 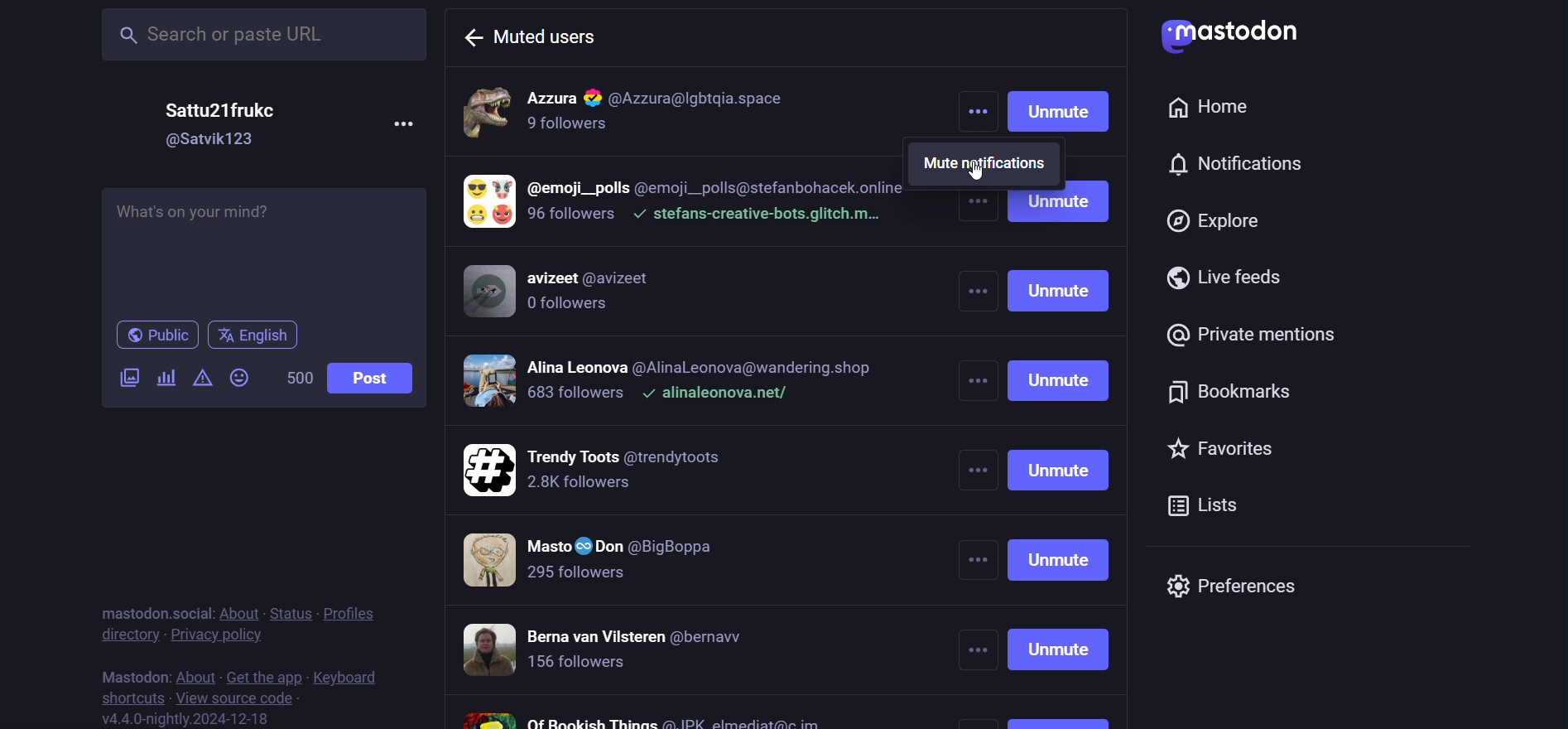 What do you see at coordinates (212, 140) in the screenshot?
I see `id` at bounding box center [212, 140].